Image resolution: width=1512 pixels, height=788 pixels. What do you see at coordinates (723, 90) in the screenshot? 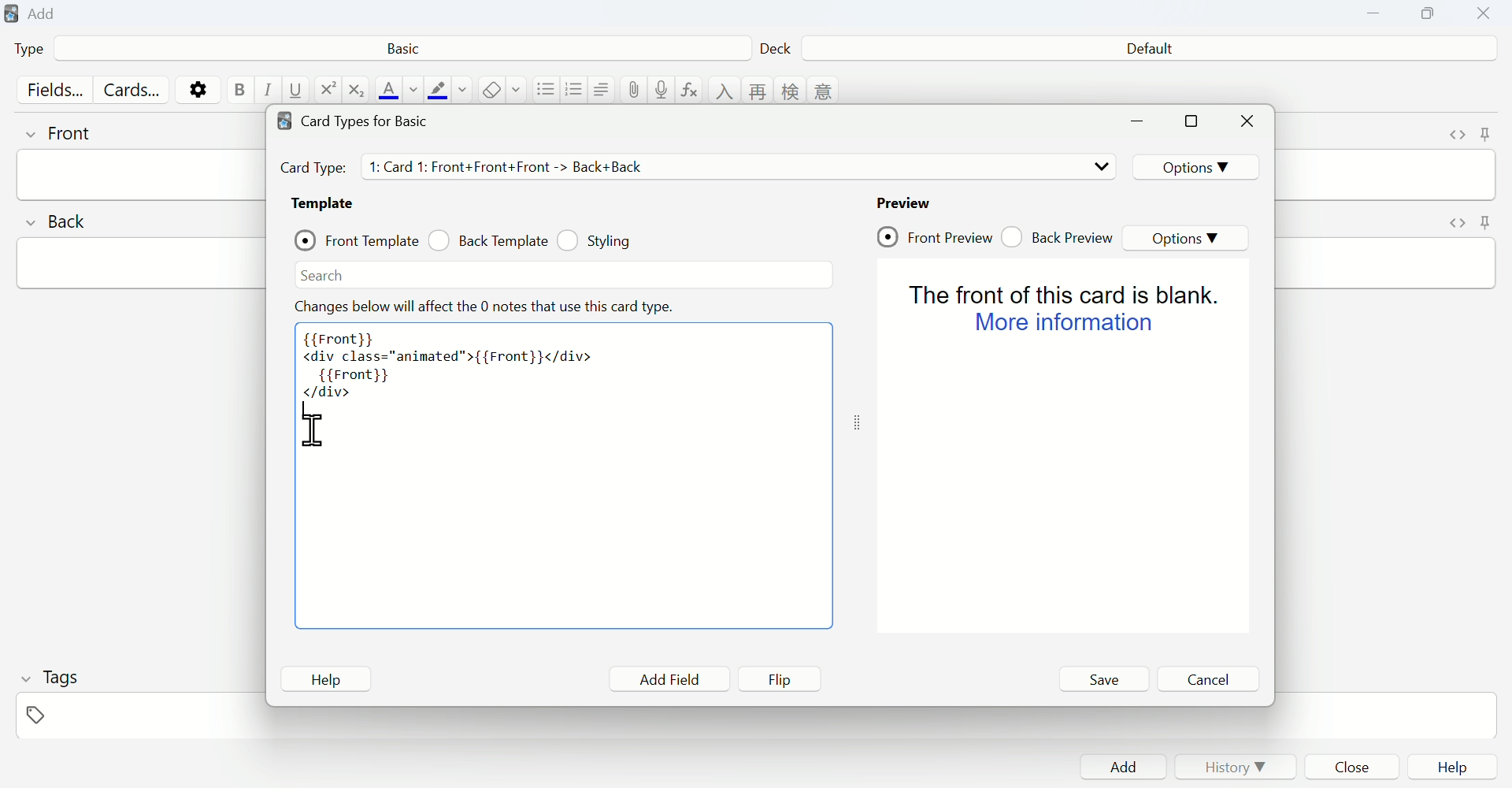
I see `language` at bounding box center [723, 90].